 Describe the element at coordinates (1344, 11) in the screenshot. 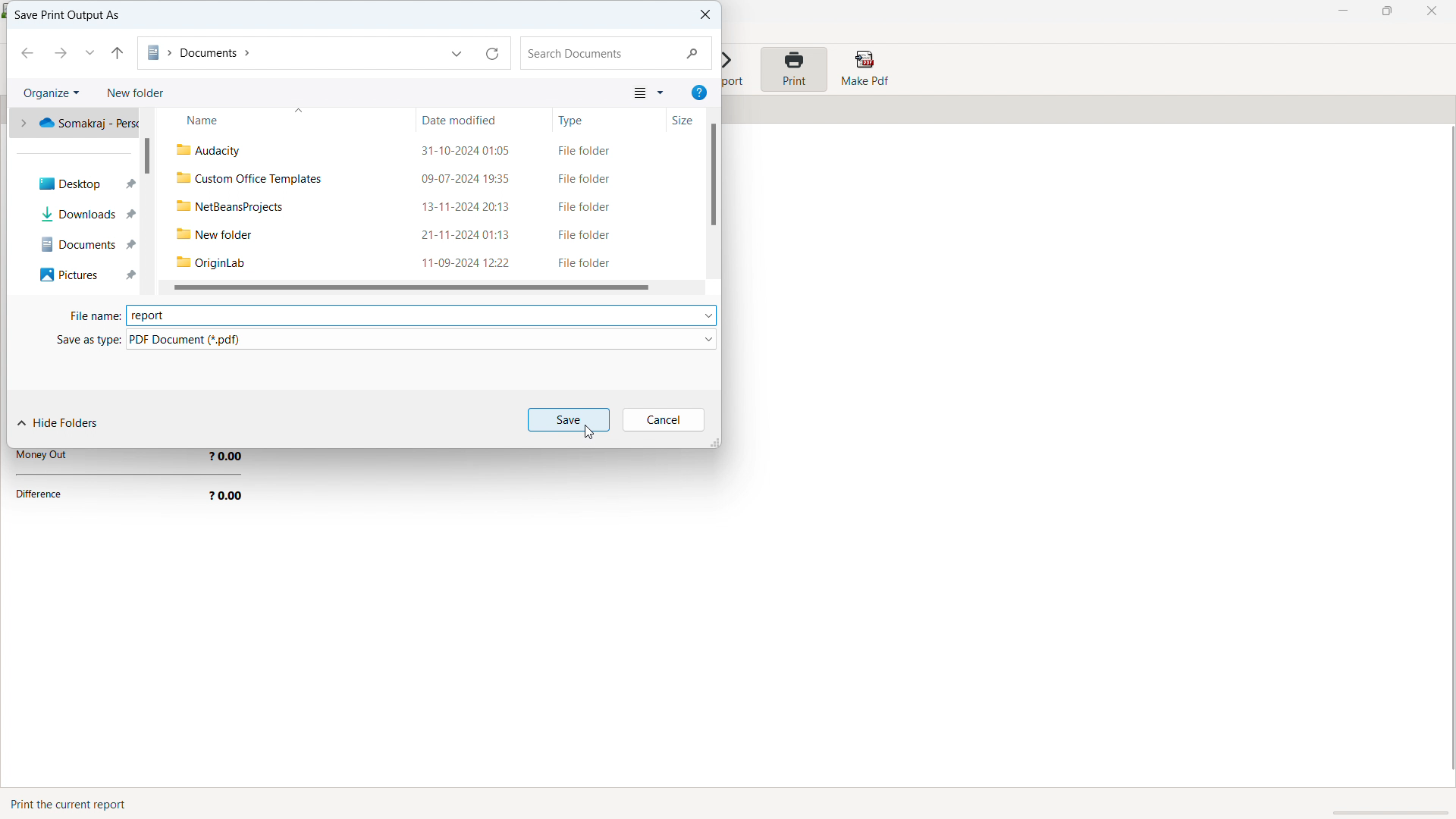

I see `minimize` at that location.